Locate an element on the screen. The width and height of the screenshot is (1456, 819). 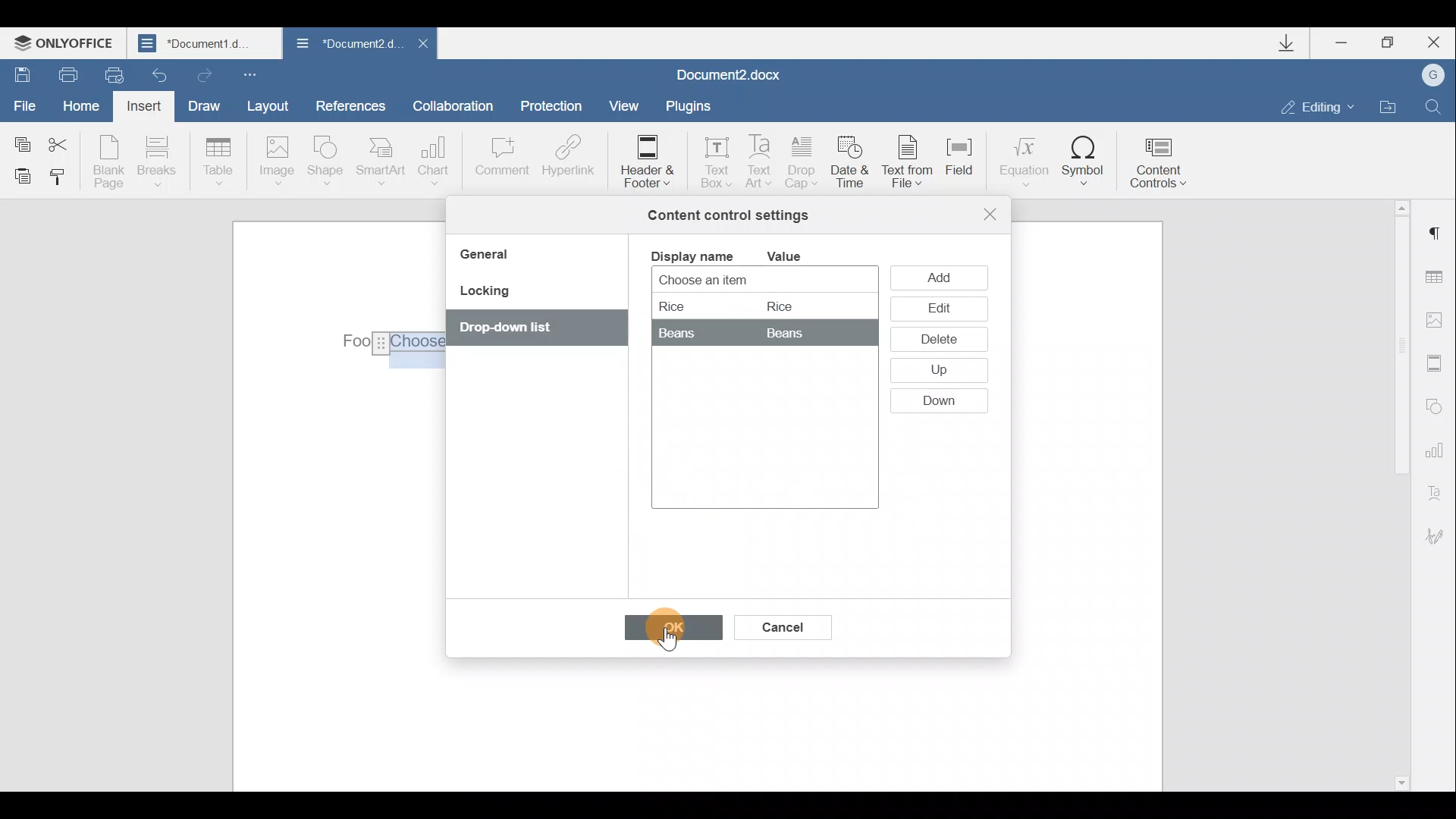
Customize quick access toolbar is located at coordinates (253, 74).